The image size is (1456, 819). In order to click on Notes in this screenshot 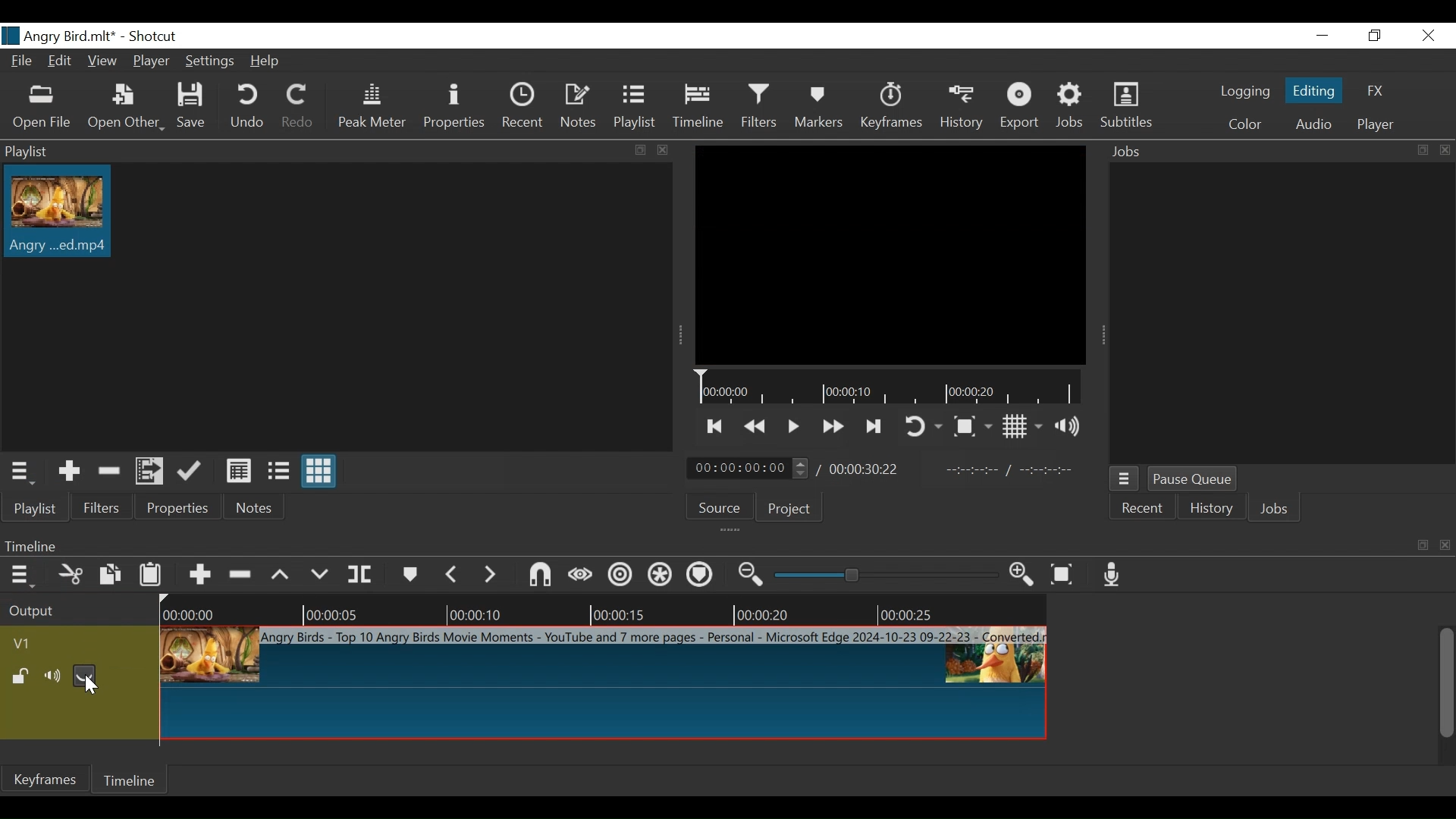, I will do `click(256, 505)`.